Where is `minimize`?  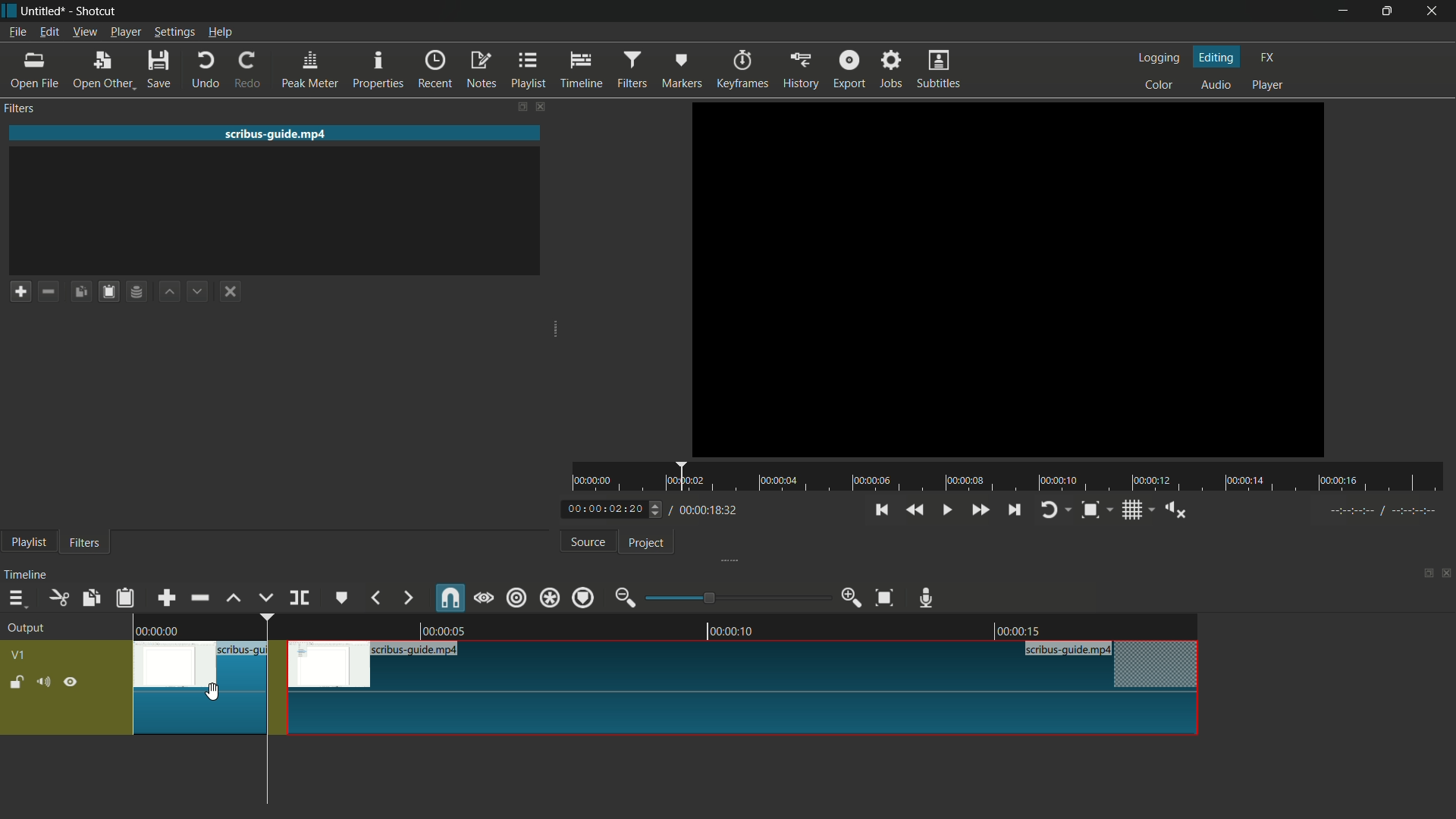 minimize is located at coordinates (1344, 11).